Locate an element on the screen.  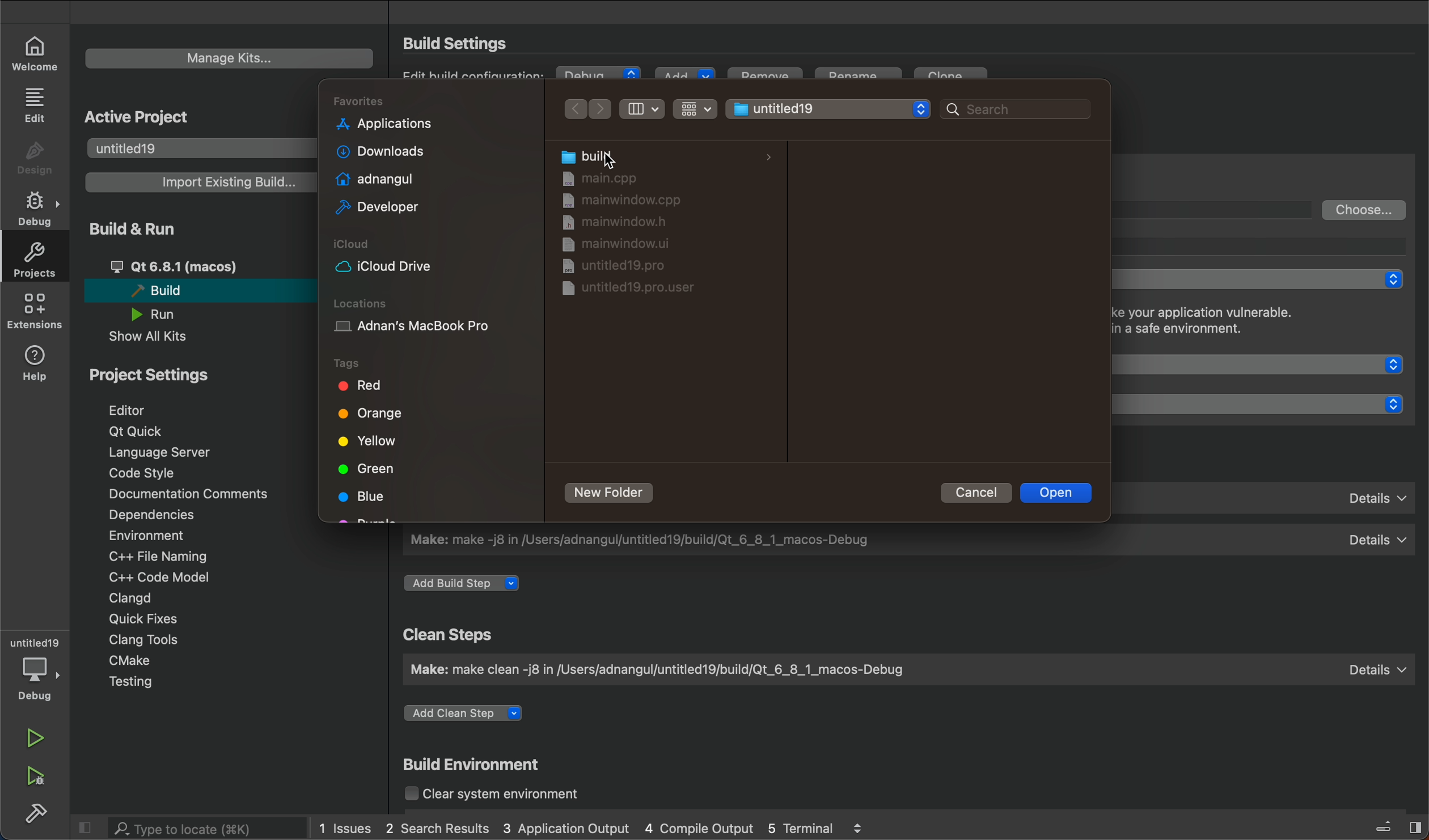
c++ code model is located at coordinates (157, 577).